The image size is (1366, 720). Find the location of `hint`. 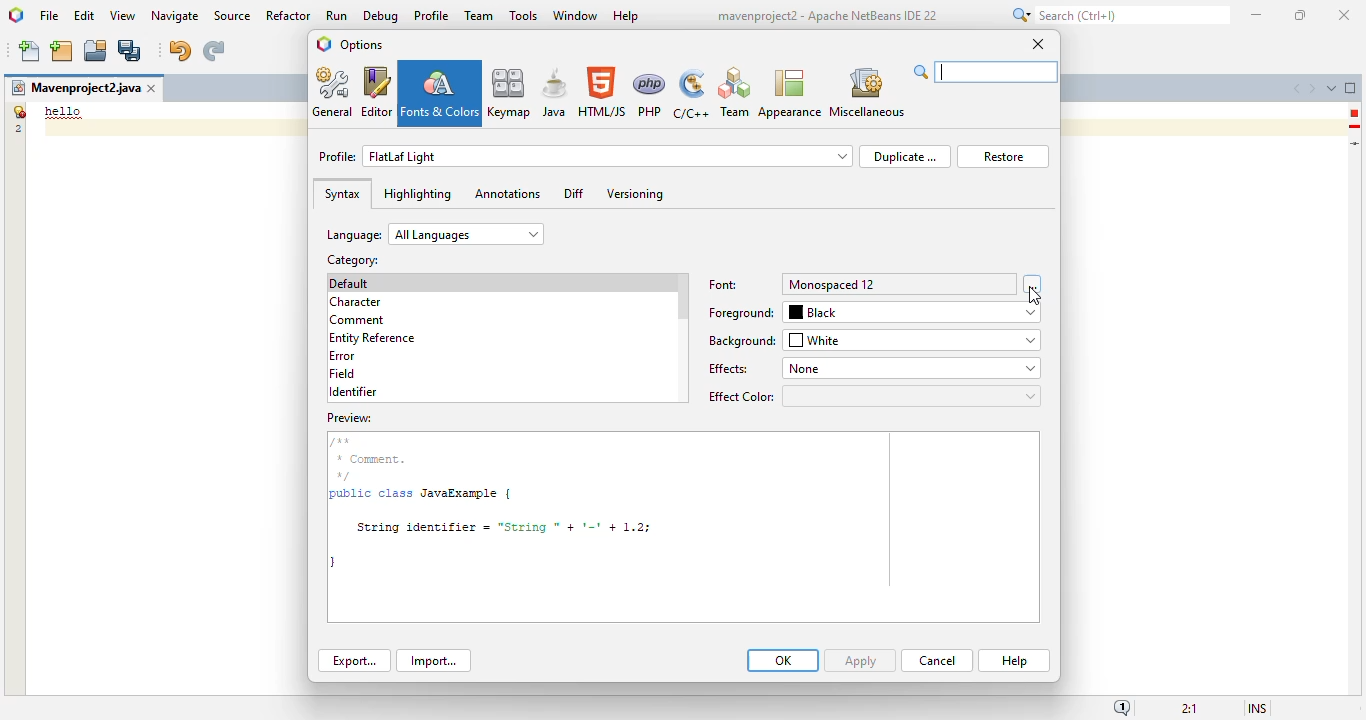

hint is located at coordinates (1355, 127).